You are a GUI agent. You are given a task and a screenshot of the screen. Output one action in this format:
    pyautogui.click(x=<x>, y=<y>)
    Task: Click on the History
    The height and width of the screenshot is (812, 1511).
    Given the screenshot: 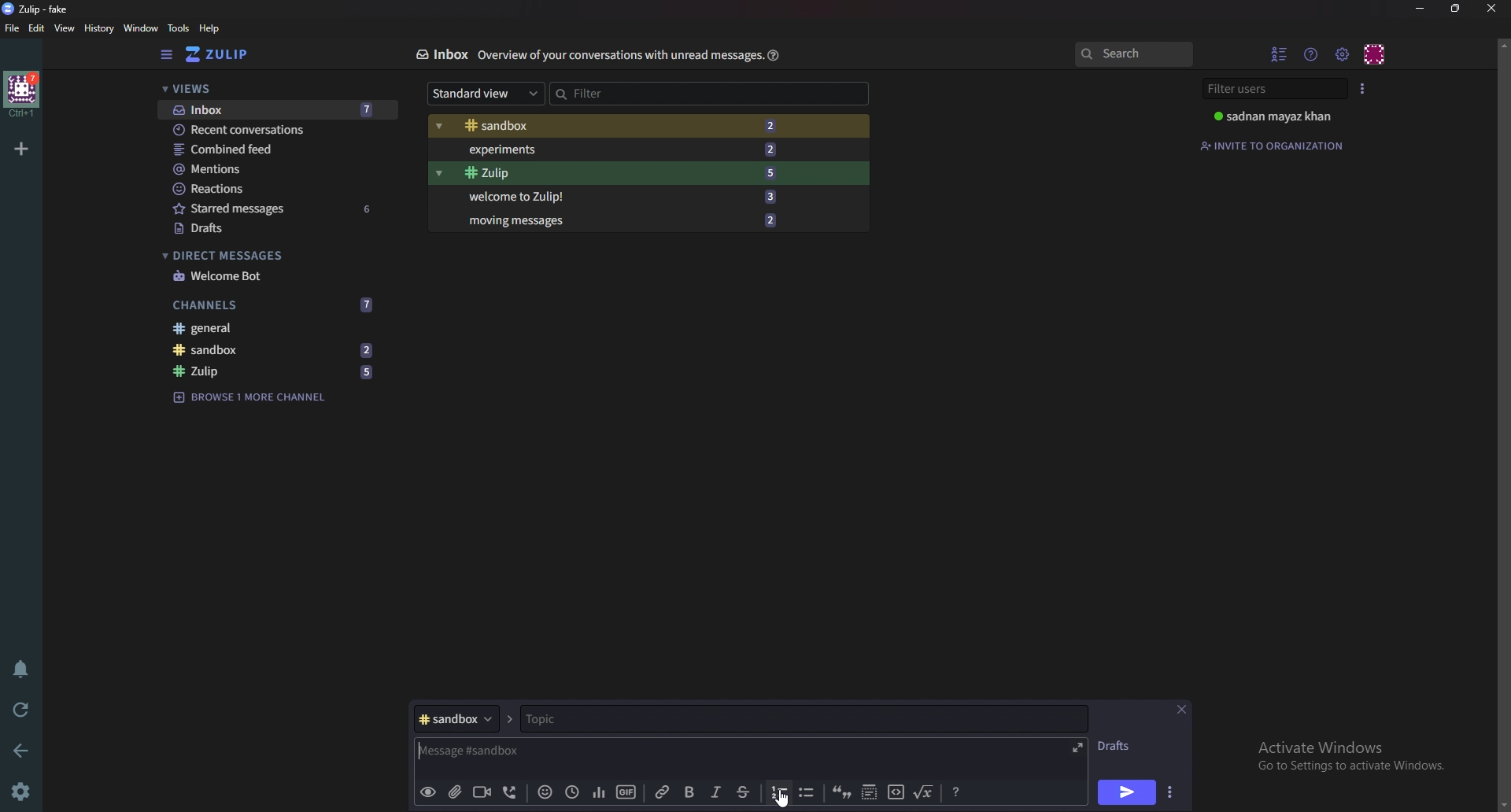 What is the action you would take?
    pyautogui.click(x=98, y=28)
    